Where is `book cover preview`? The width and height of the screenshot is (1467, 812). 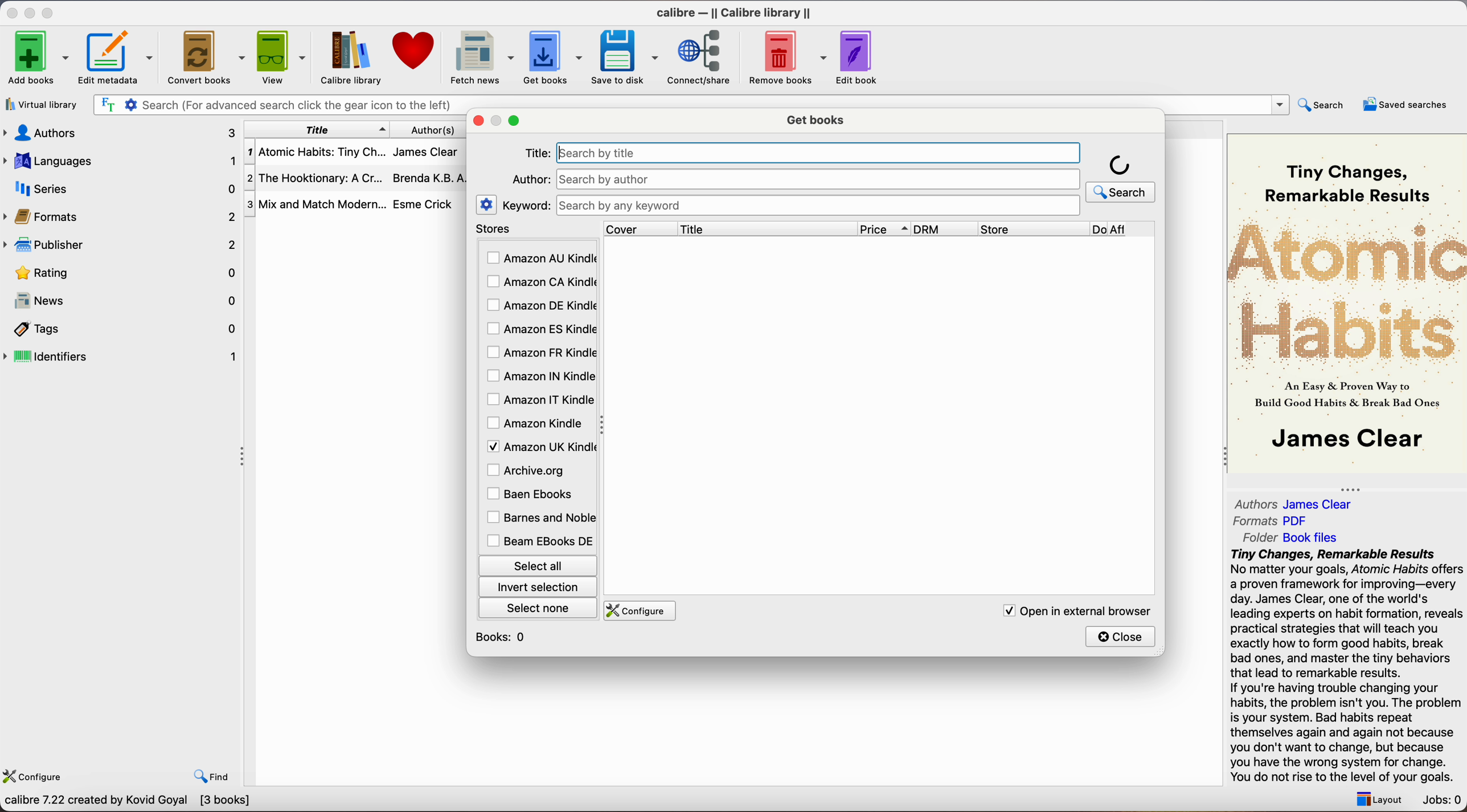
book cover preview is located at coordinates (1349, 302).